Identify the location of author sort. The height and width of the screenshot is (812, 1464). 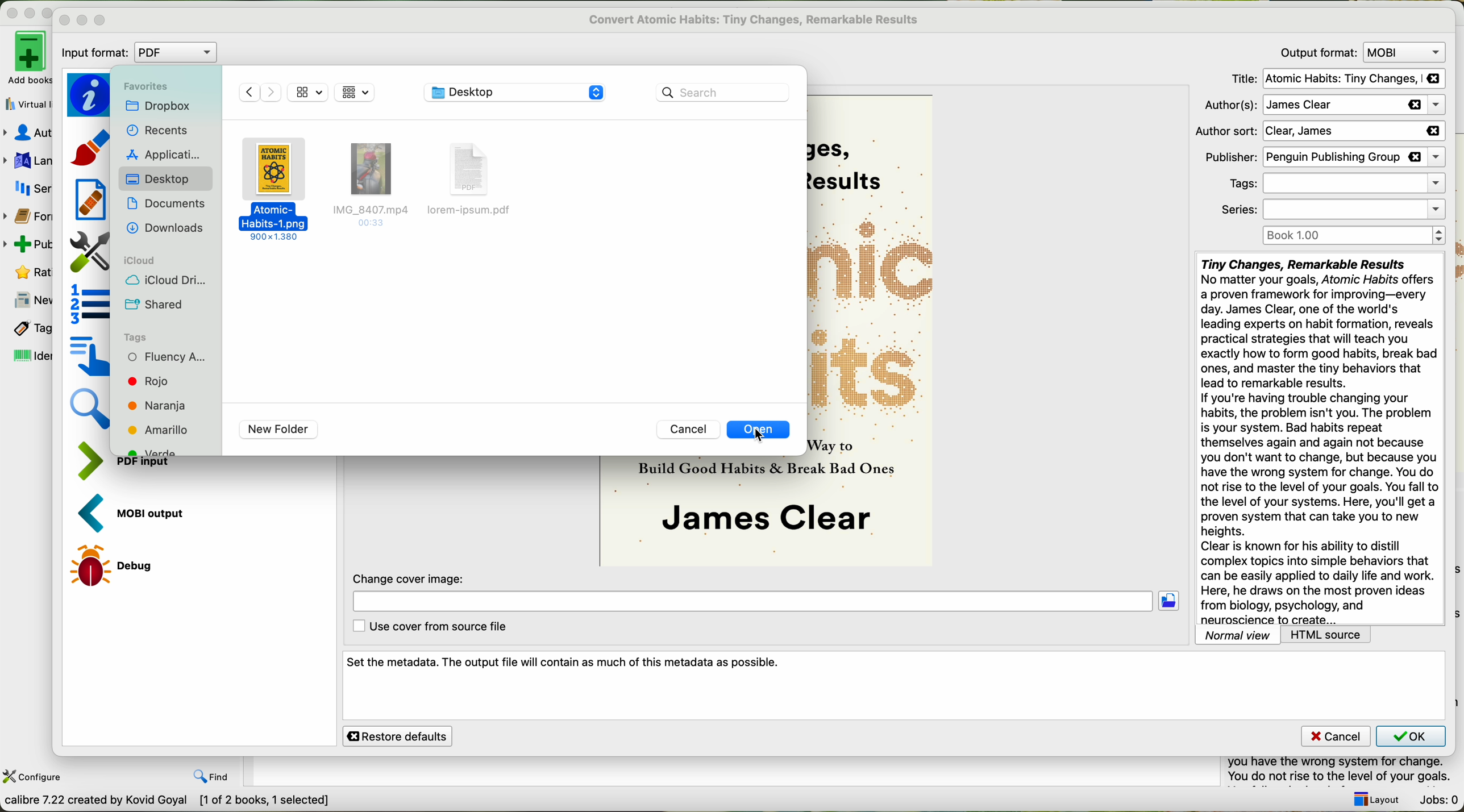
(1319, 131).